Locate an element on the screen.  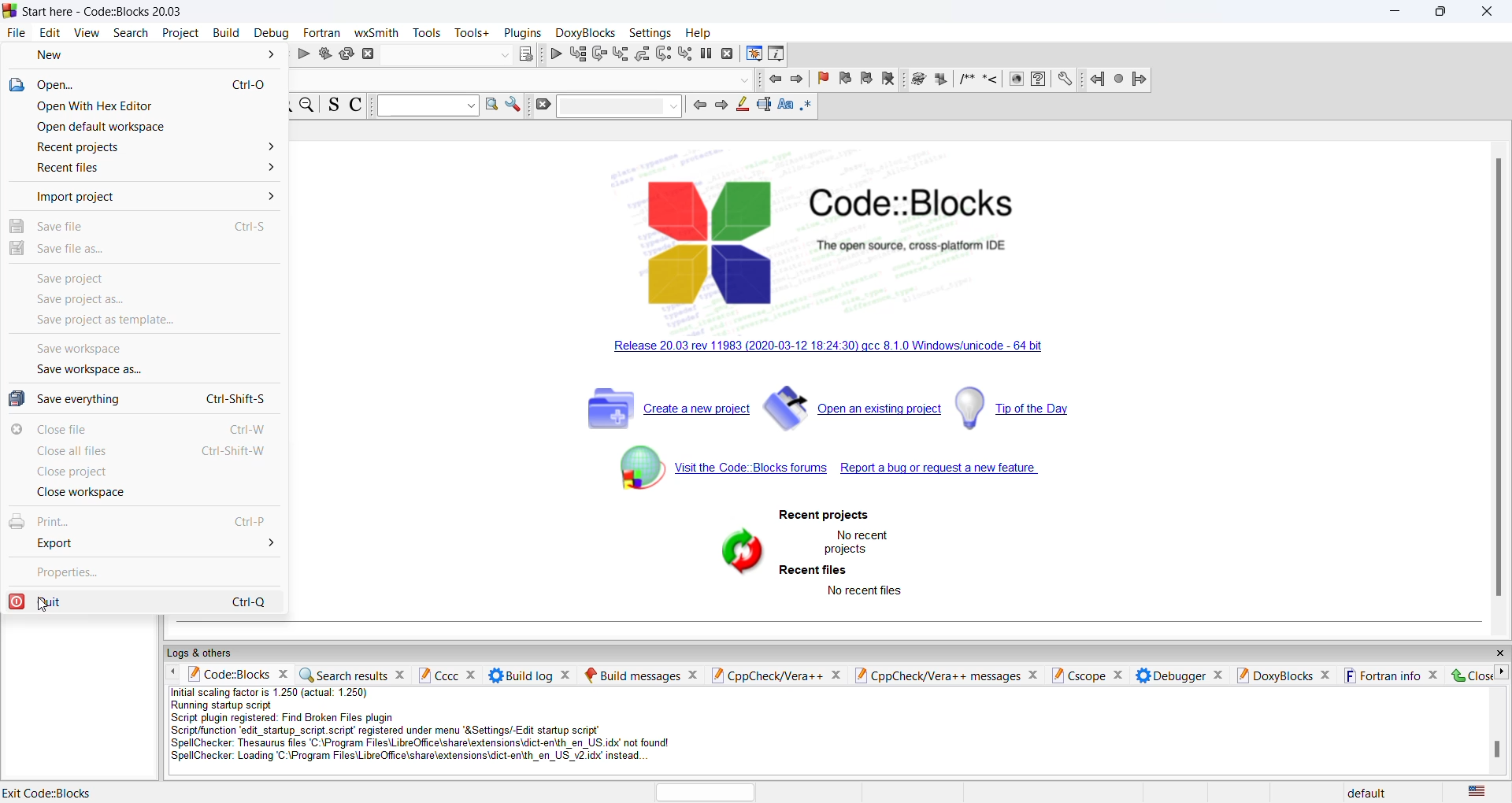
build and run is located at coordinates (324, 53).